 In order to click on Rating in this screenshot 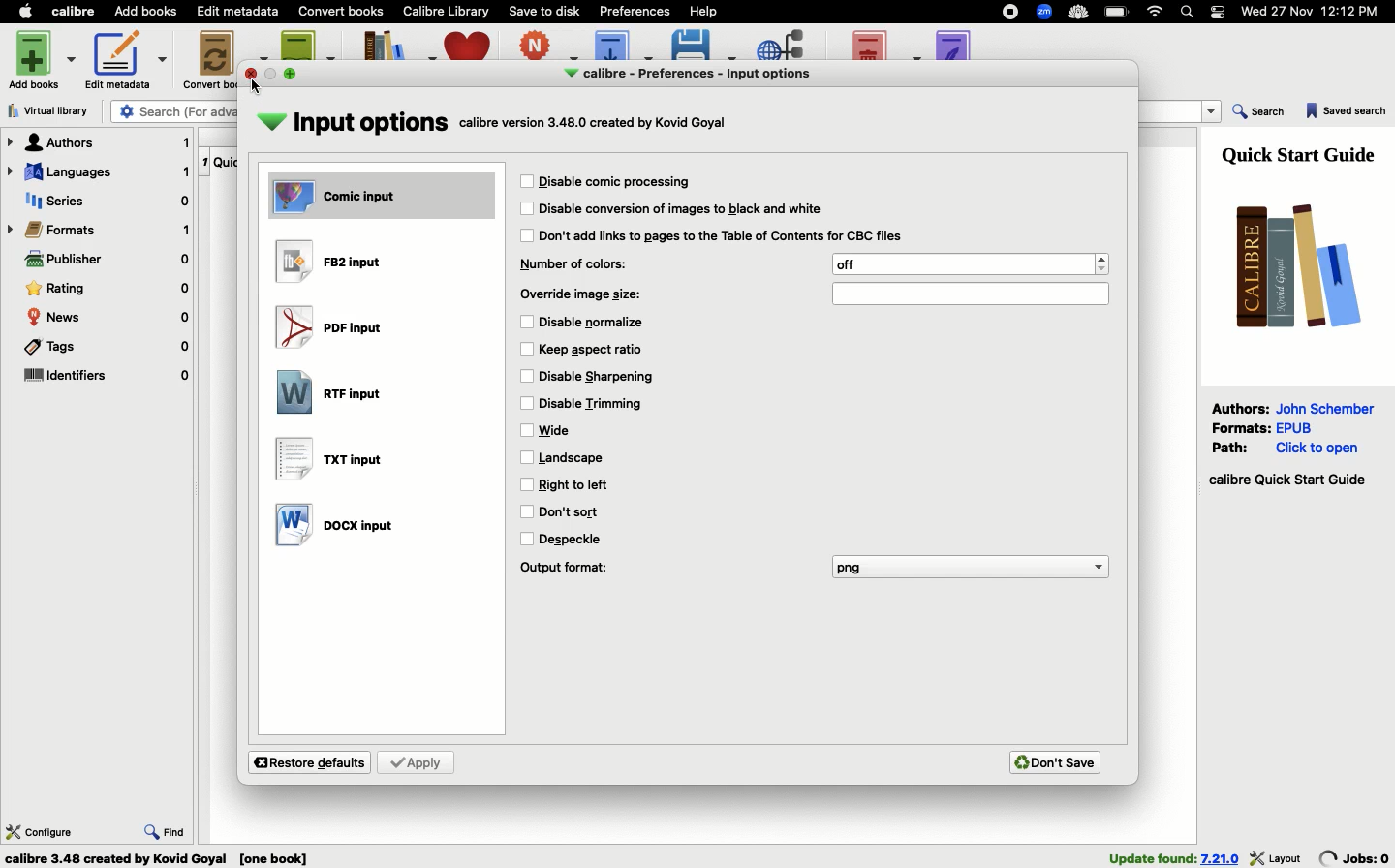, I will do `click(108, 289)`.